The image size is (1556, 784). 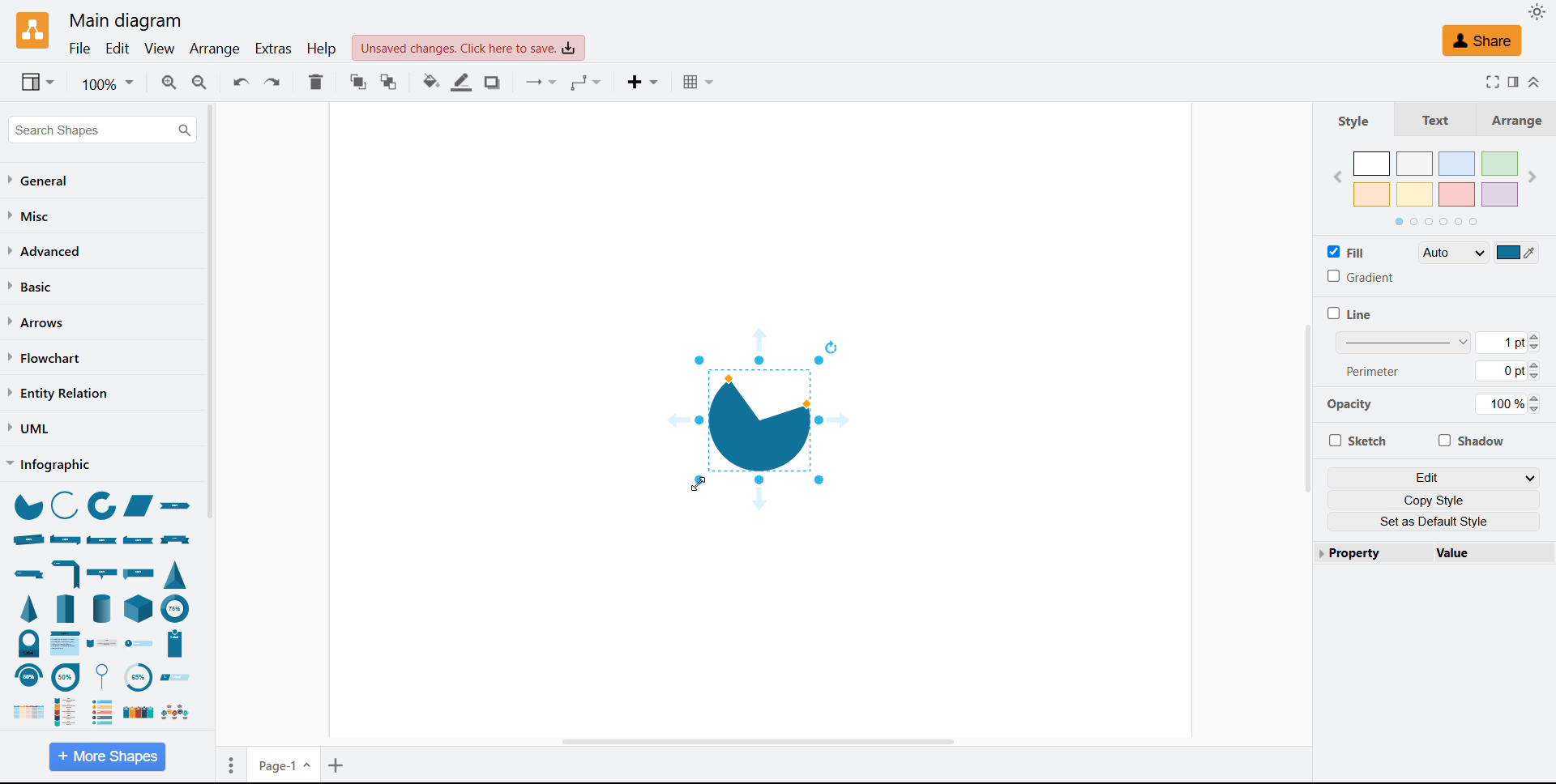 What do you see at coordinates (139, 539) in the screenshot?
I see `ribbon back fold` at bounding box center [139, 539].